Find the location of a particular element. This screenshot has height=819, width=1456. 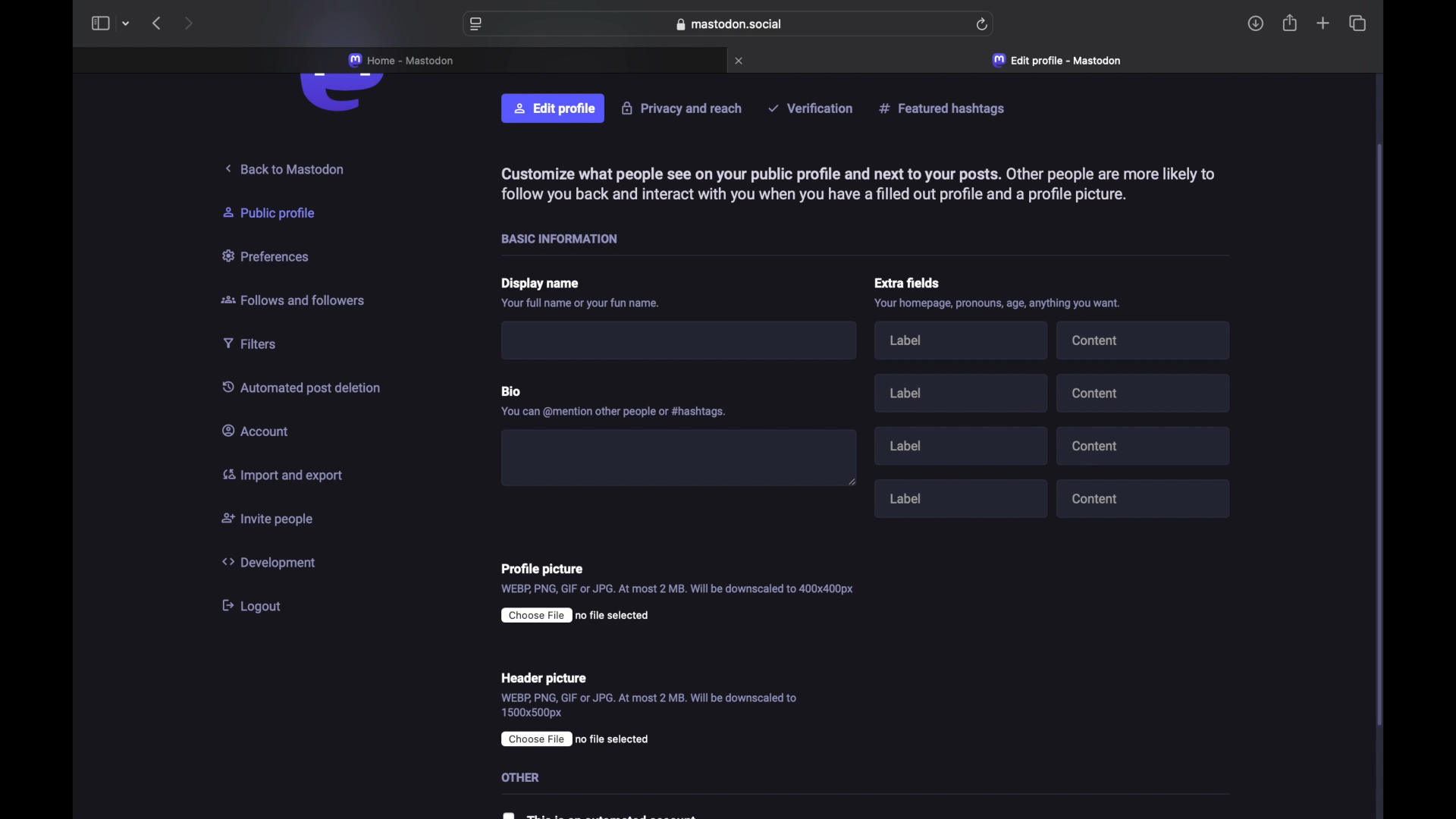

back to mastodon is located at coordinates (287, 165).